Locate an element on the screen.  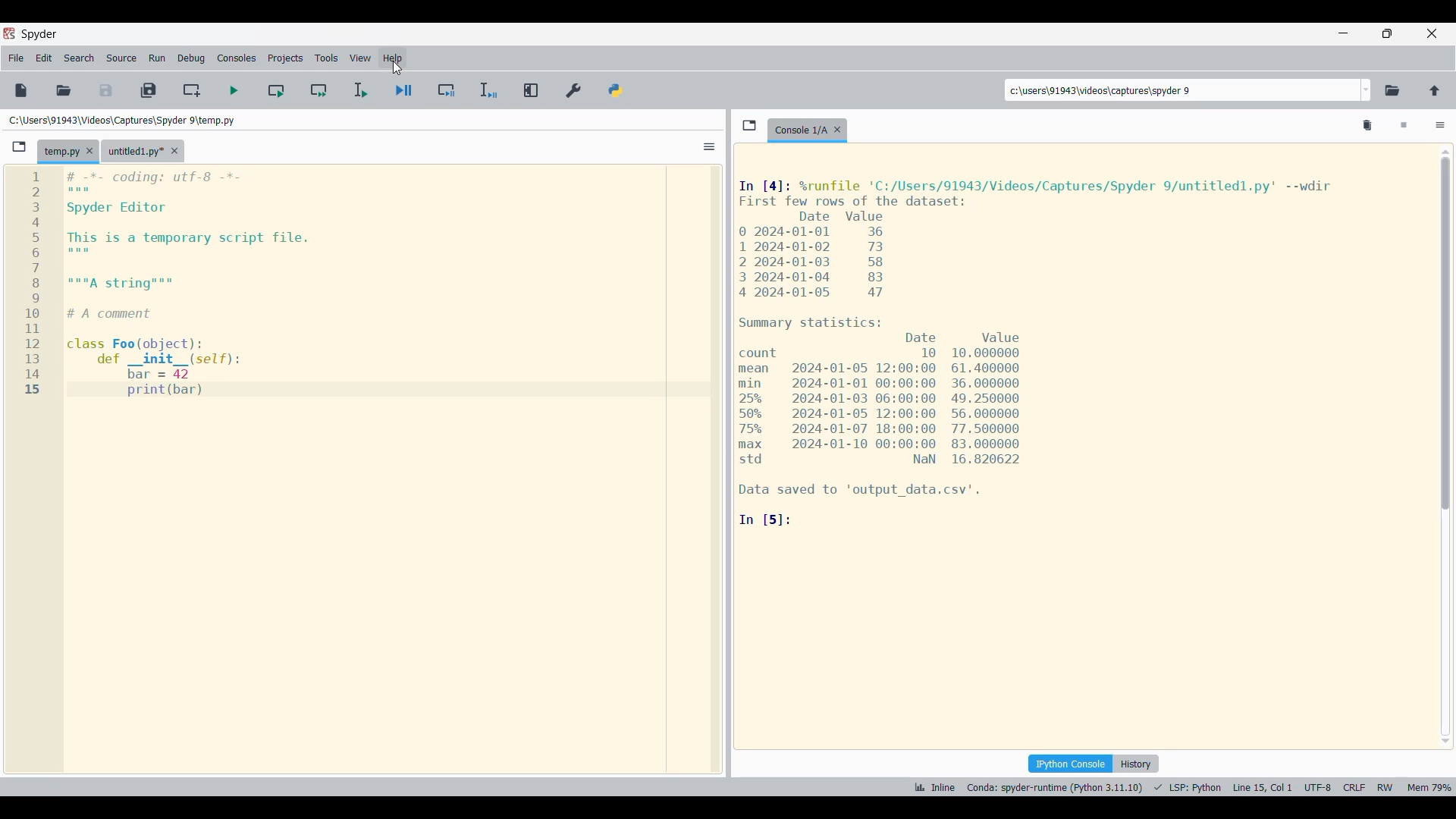
Details of current code is located at coordinates (1181, 786).